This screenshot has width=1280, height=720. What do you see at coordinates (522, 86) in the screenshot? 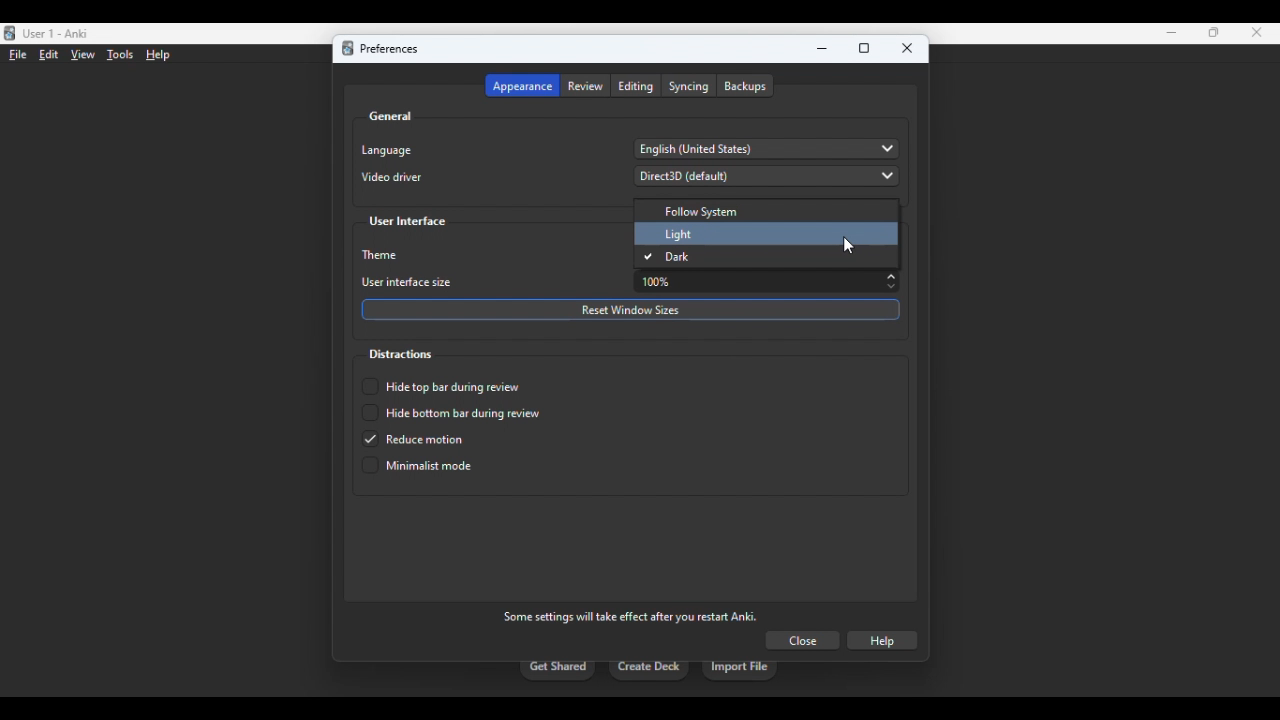
I see `appearance` at bounding box center [522, 86].